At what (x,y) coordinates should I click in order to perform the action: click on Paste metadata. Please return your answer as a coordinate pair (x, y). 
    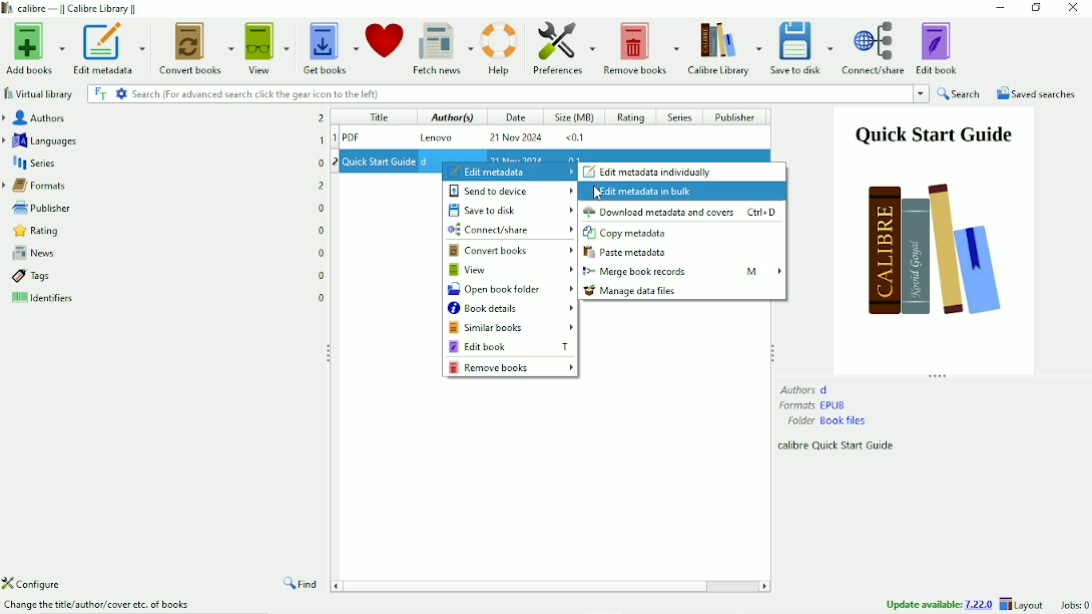
    Looking at the image, I should click on (629, 253).